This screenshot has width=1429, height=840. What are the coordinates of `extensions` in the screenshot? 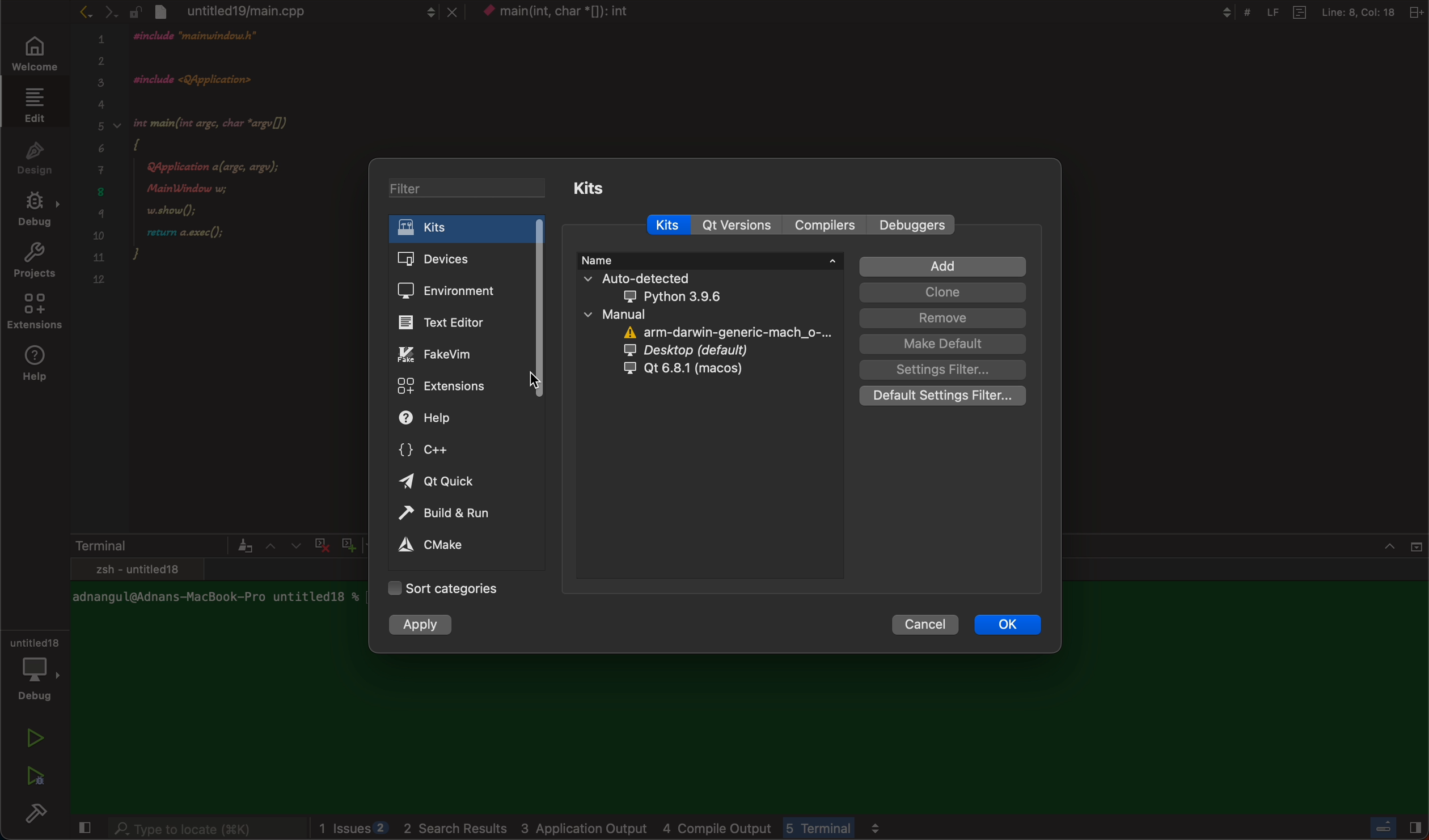 It's located at (36, 315).